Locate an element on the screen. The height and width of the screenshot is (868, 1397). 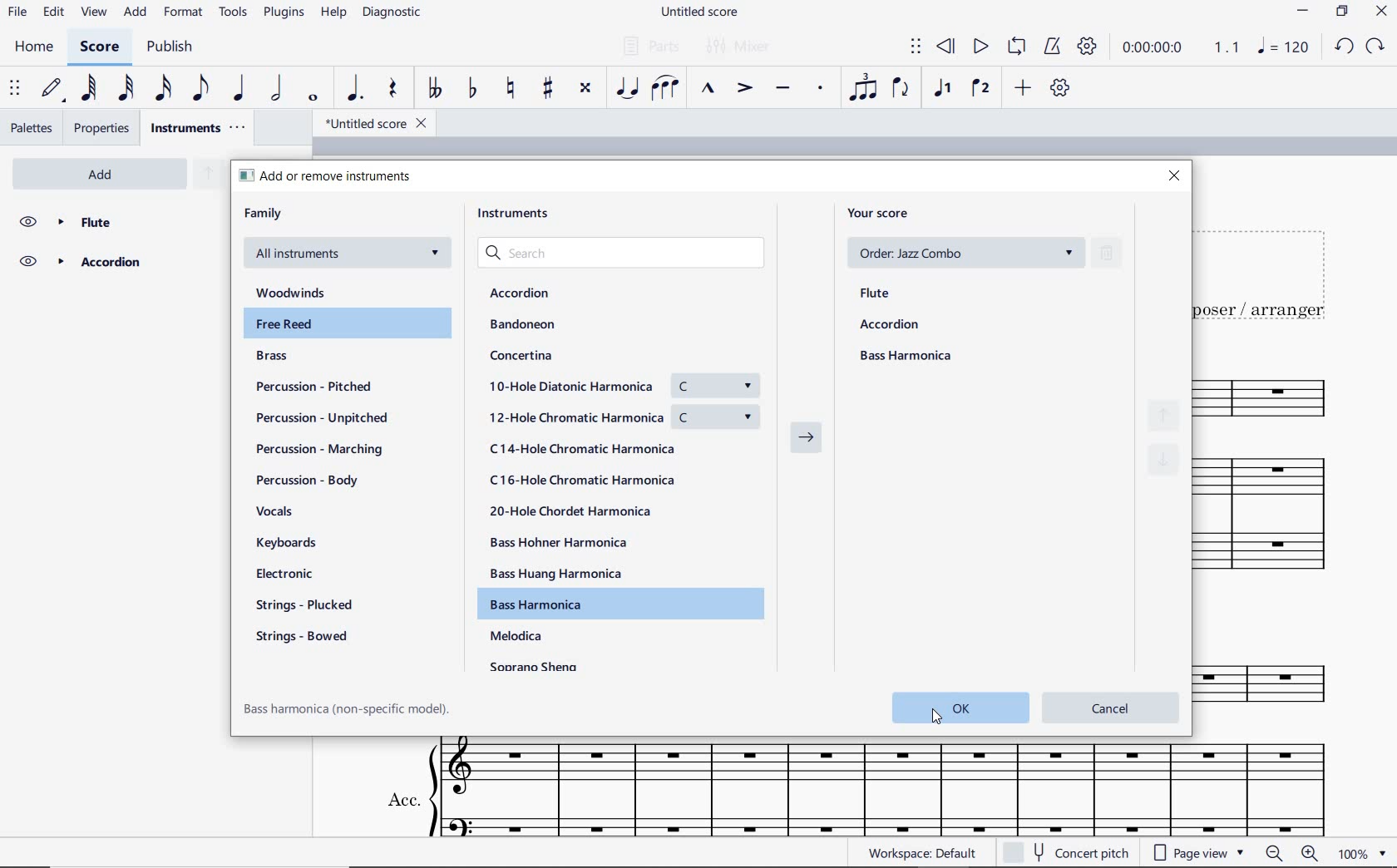
marcato is located at coordinates (708, 90).